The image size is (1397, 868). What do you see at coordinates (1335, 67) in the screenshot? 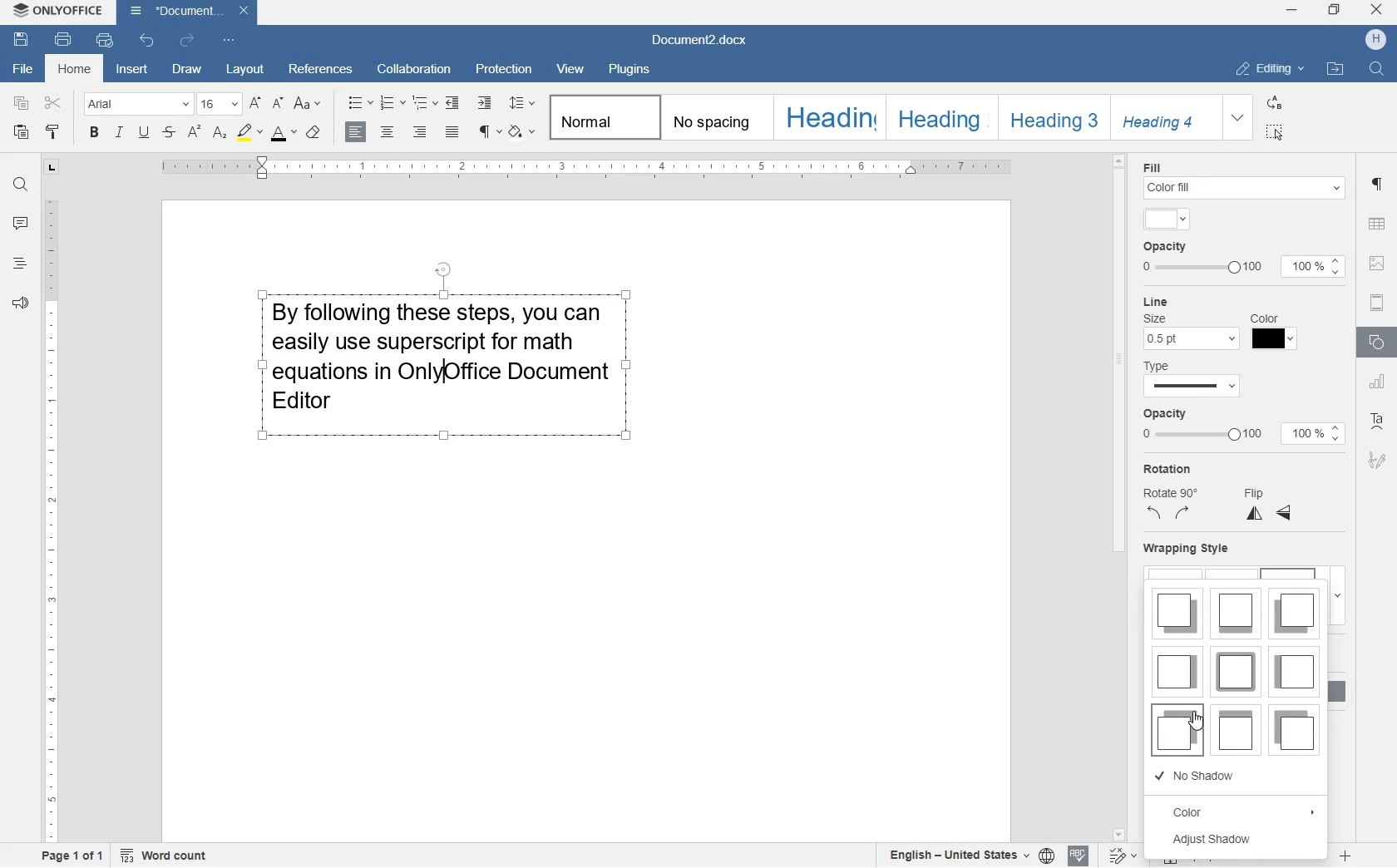
I see `OPEN FILE LOCATION` at bounding box center [1335, 67].